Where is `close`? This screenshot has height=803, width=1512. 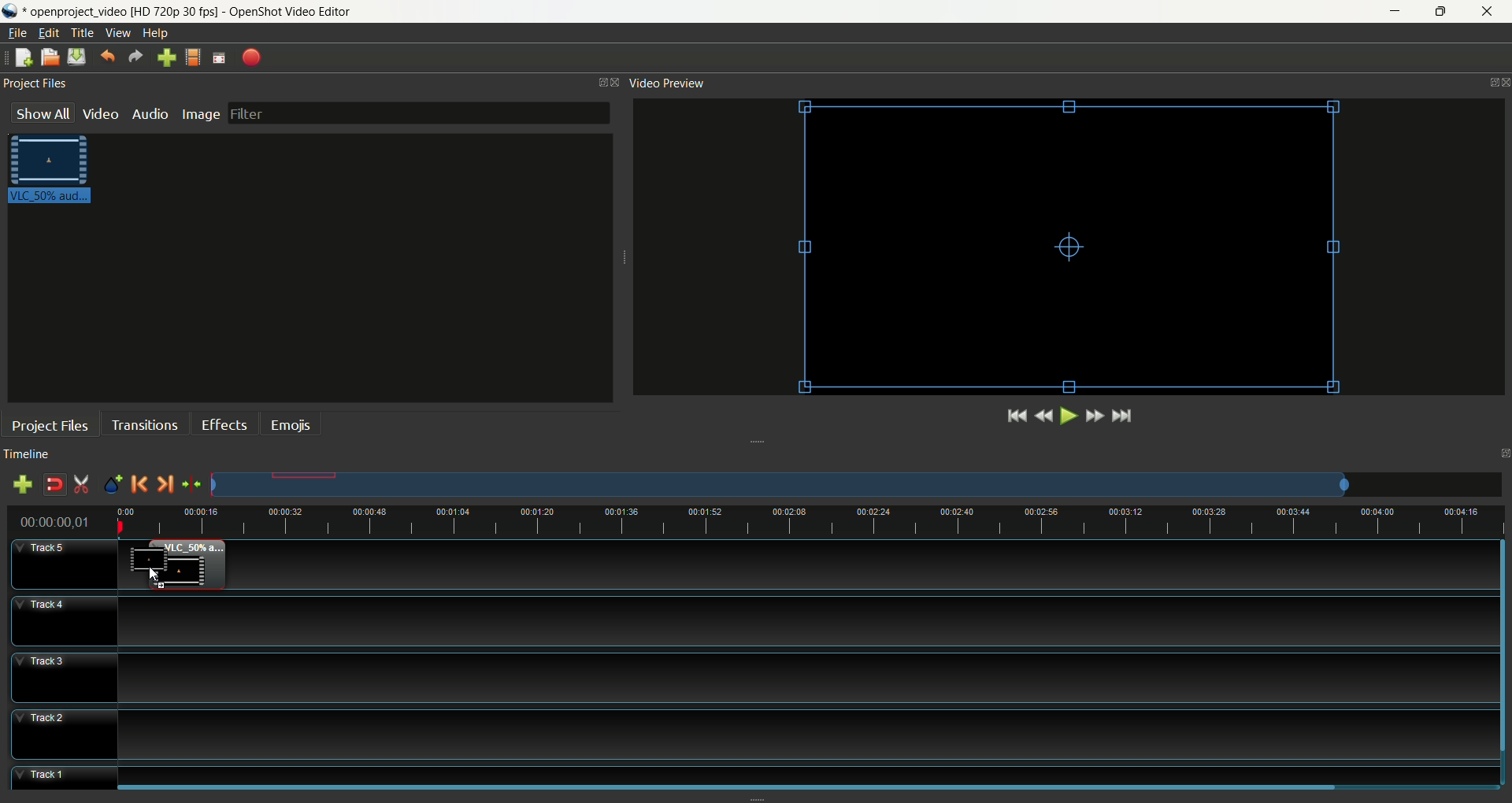 close is located at coordinates (1489, 10).